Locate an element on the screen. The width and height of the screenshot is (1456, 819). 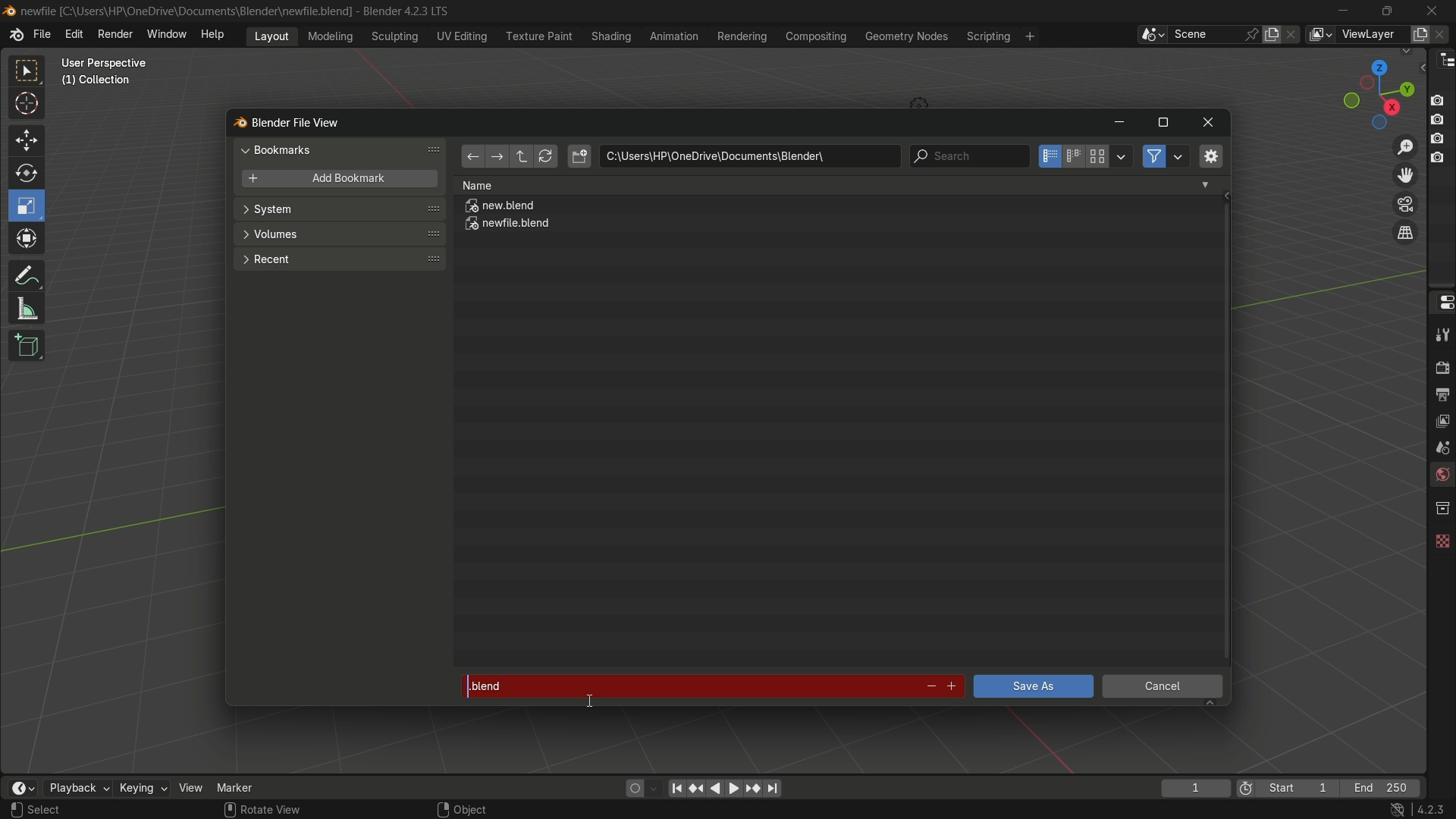
uv editing menu is located at coordinates (462, 36).